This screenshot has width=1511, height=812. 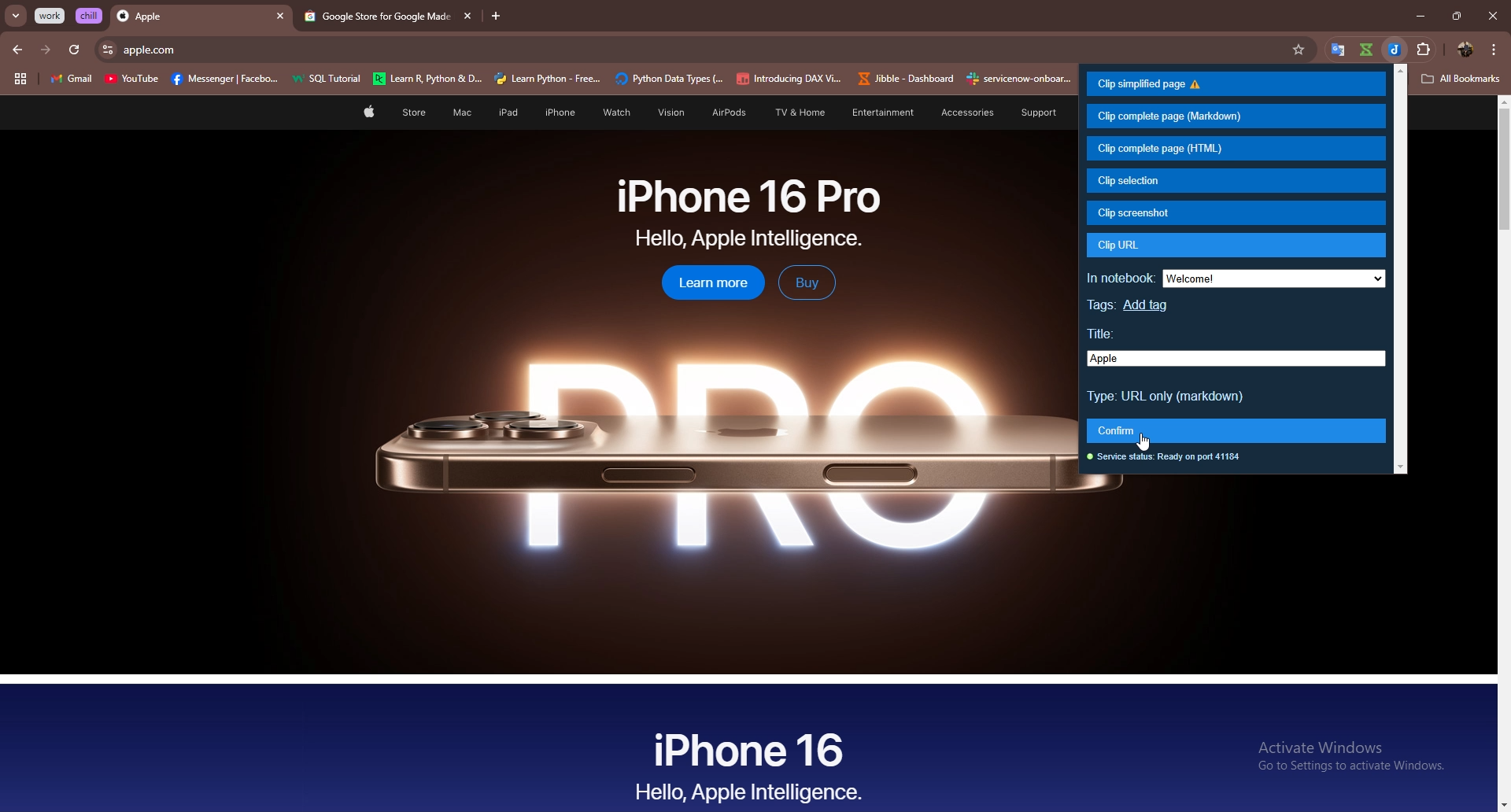 What do you see at coordinates (694, 453) in the screenshot?
I see `iphone image` at bounding box center [694, 453].